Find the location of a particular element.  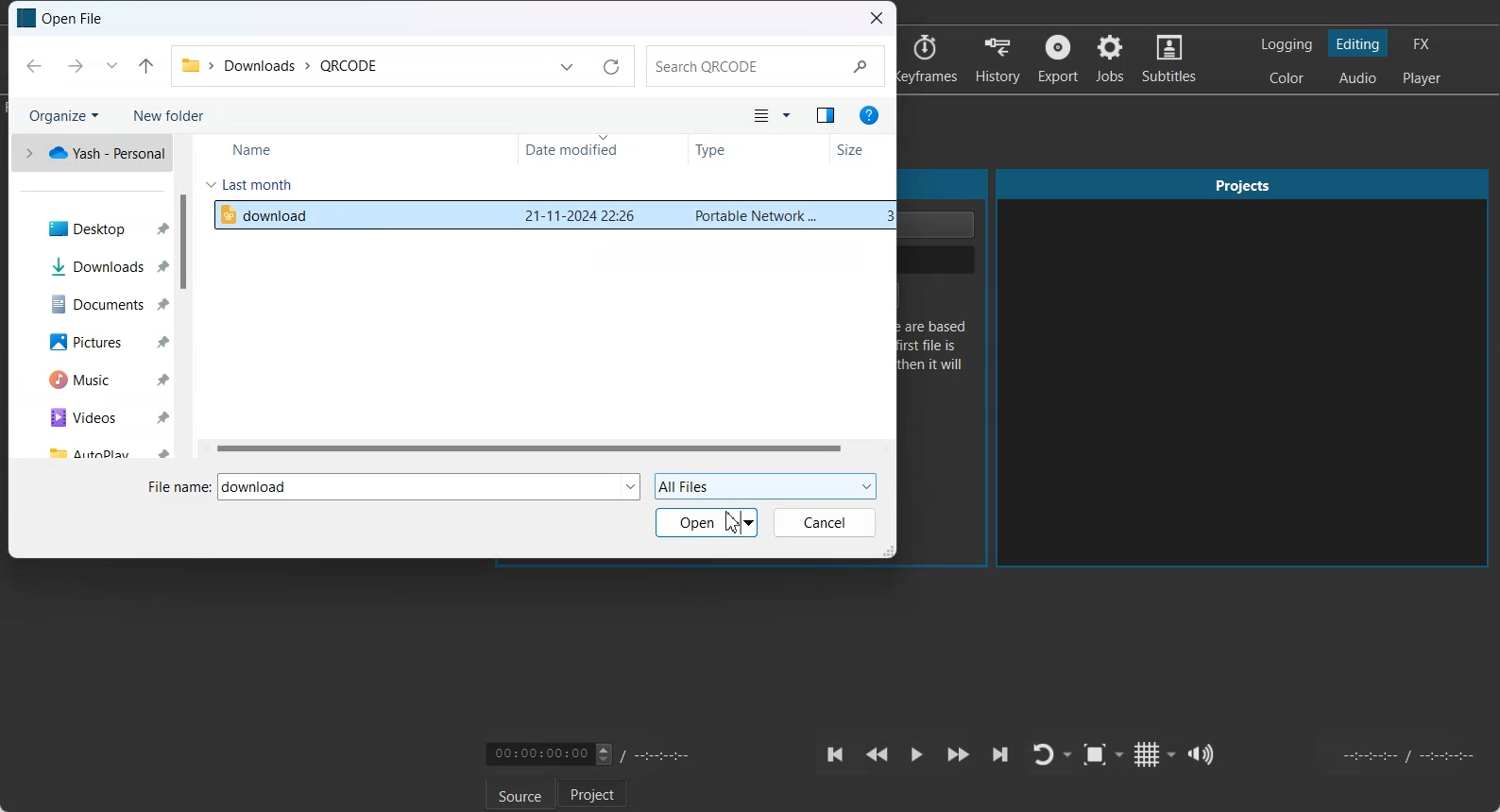

Forward is located at coordinates (75, 66).